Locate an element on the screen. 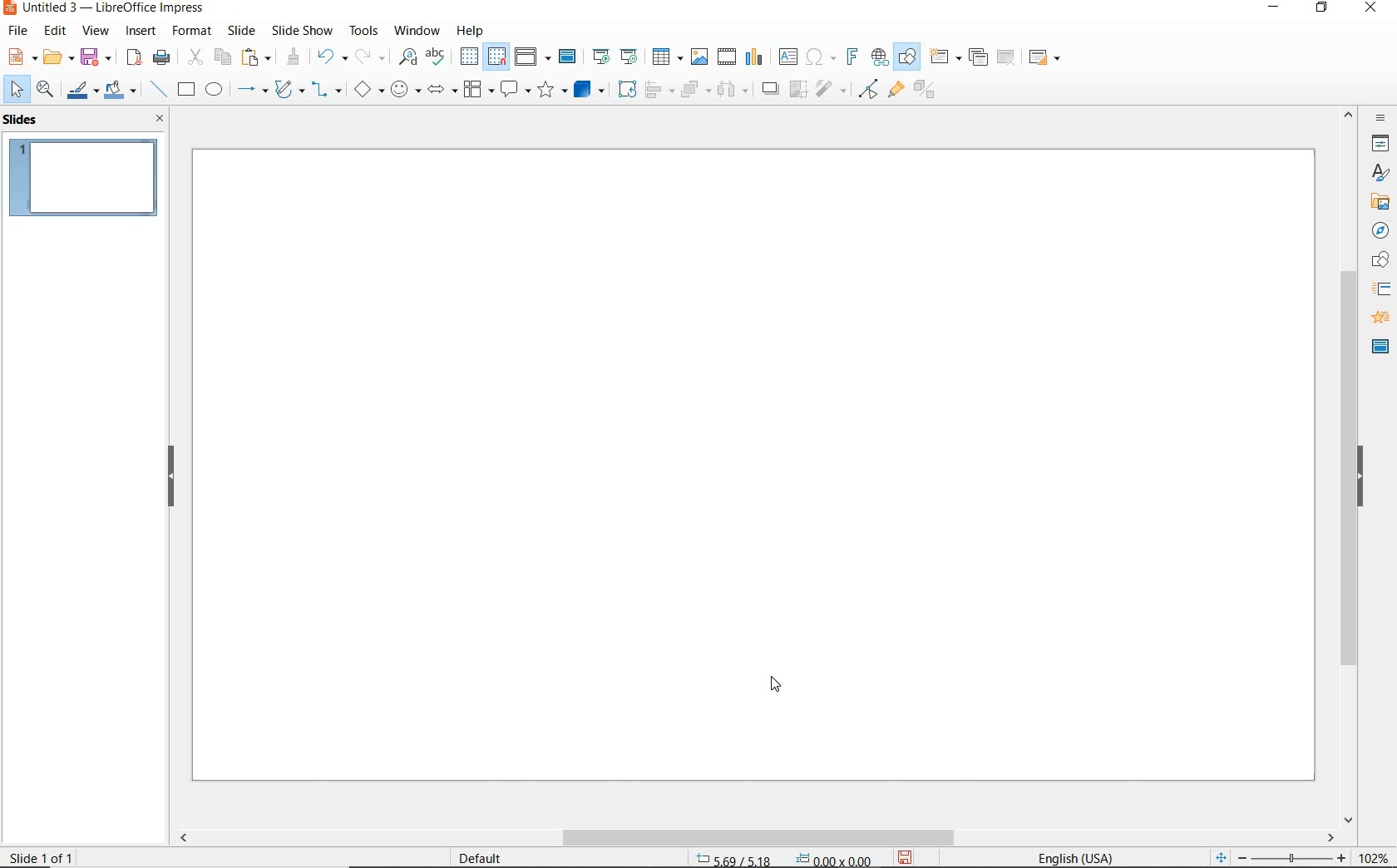  PRINT is located at coordinates (162, 58).